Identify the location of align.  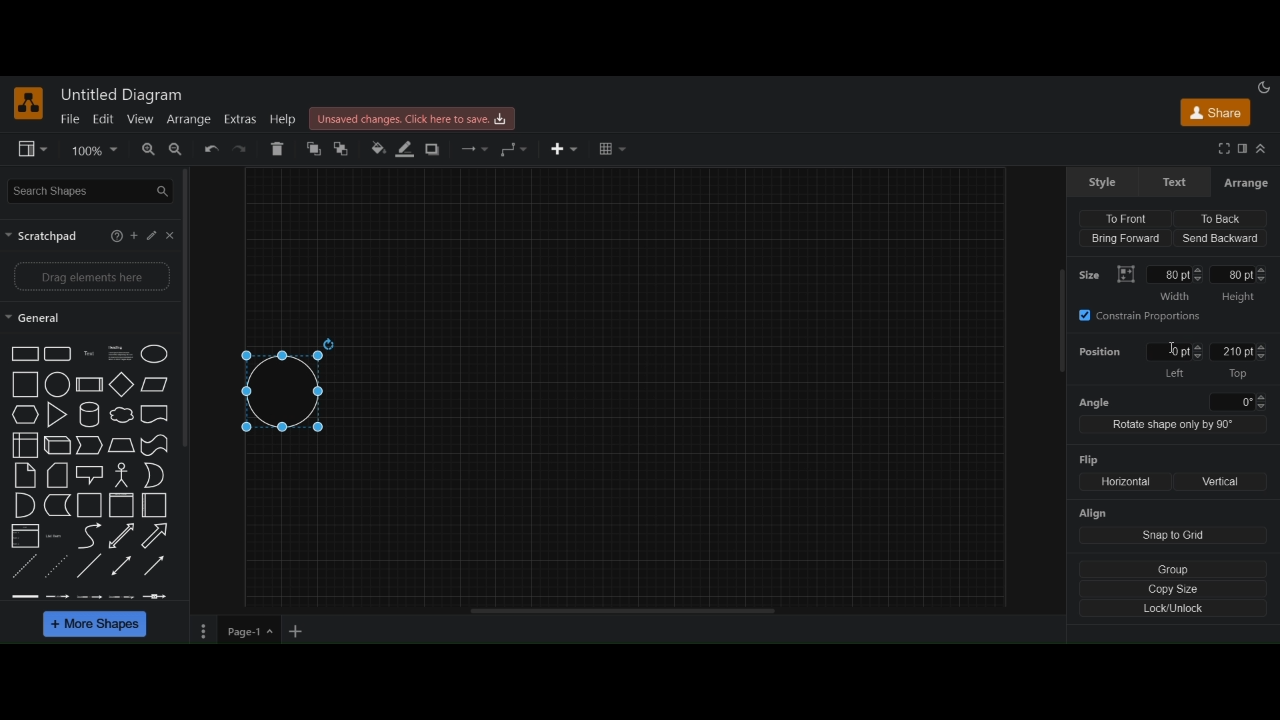
(1095, 514).